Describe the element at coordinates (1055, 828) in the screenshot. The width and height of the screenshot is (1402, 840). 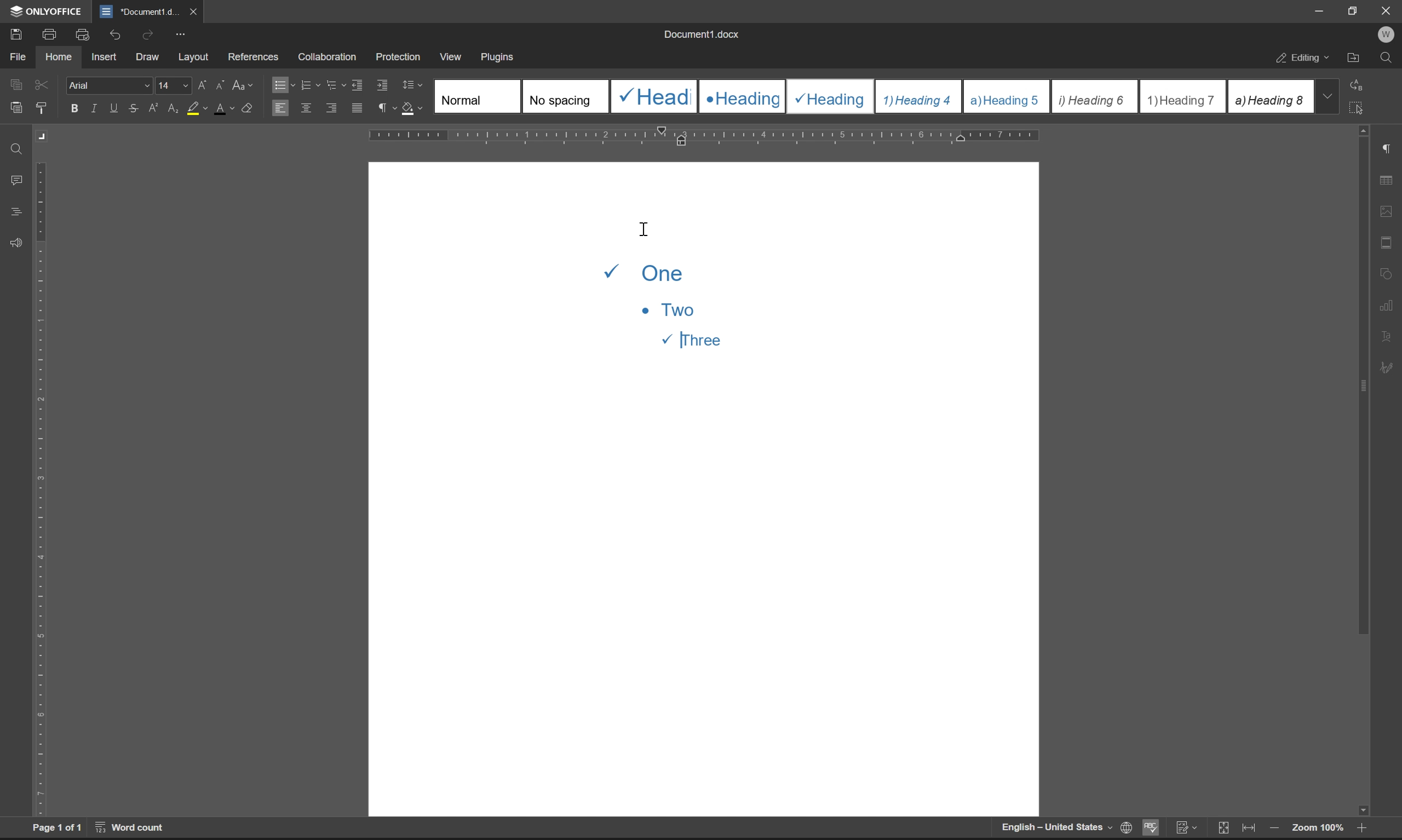
I see `English-United States` at that location.